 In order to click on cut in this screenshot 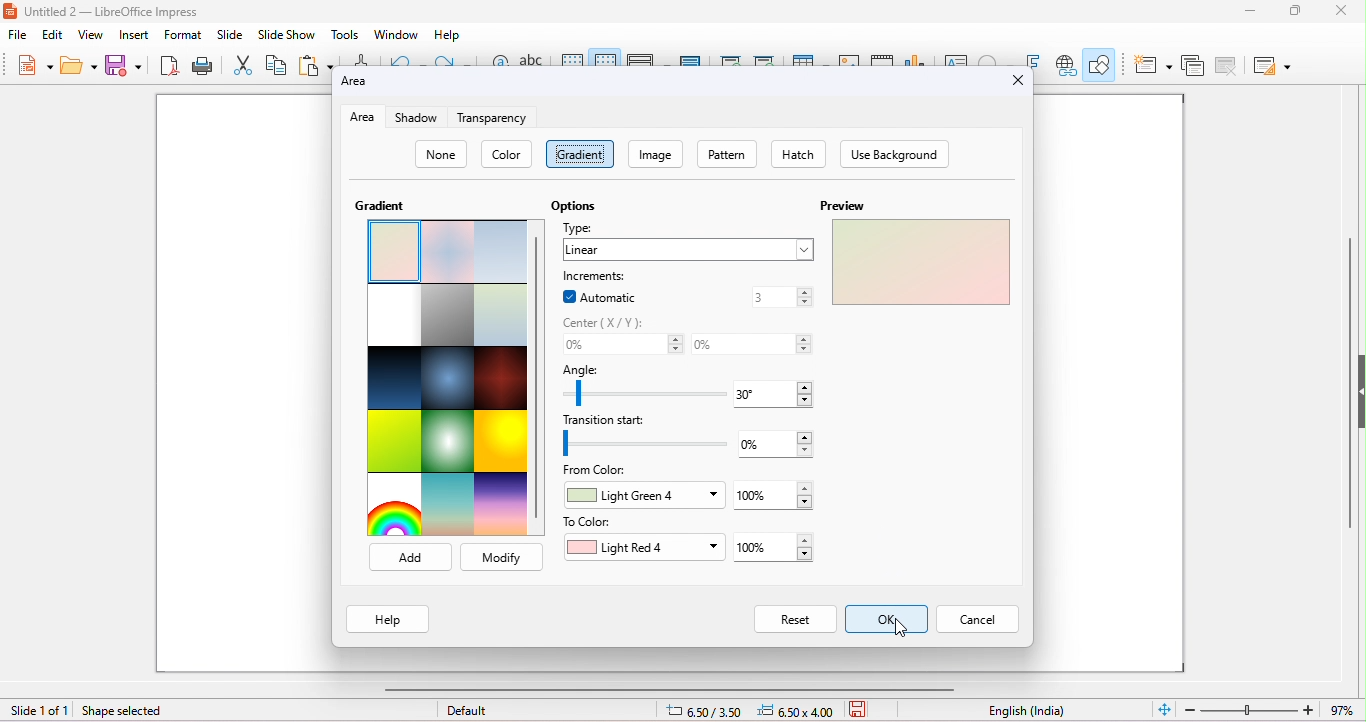, I will do `click(243, 64)`.